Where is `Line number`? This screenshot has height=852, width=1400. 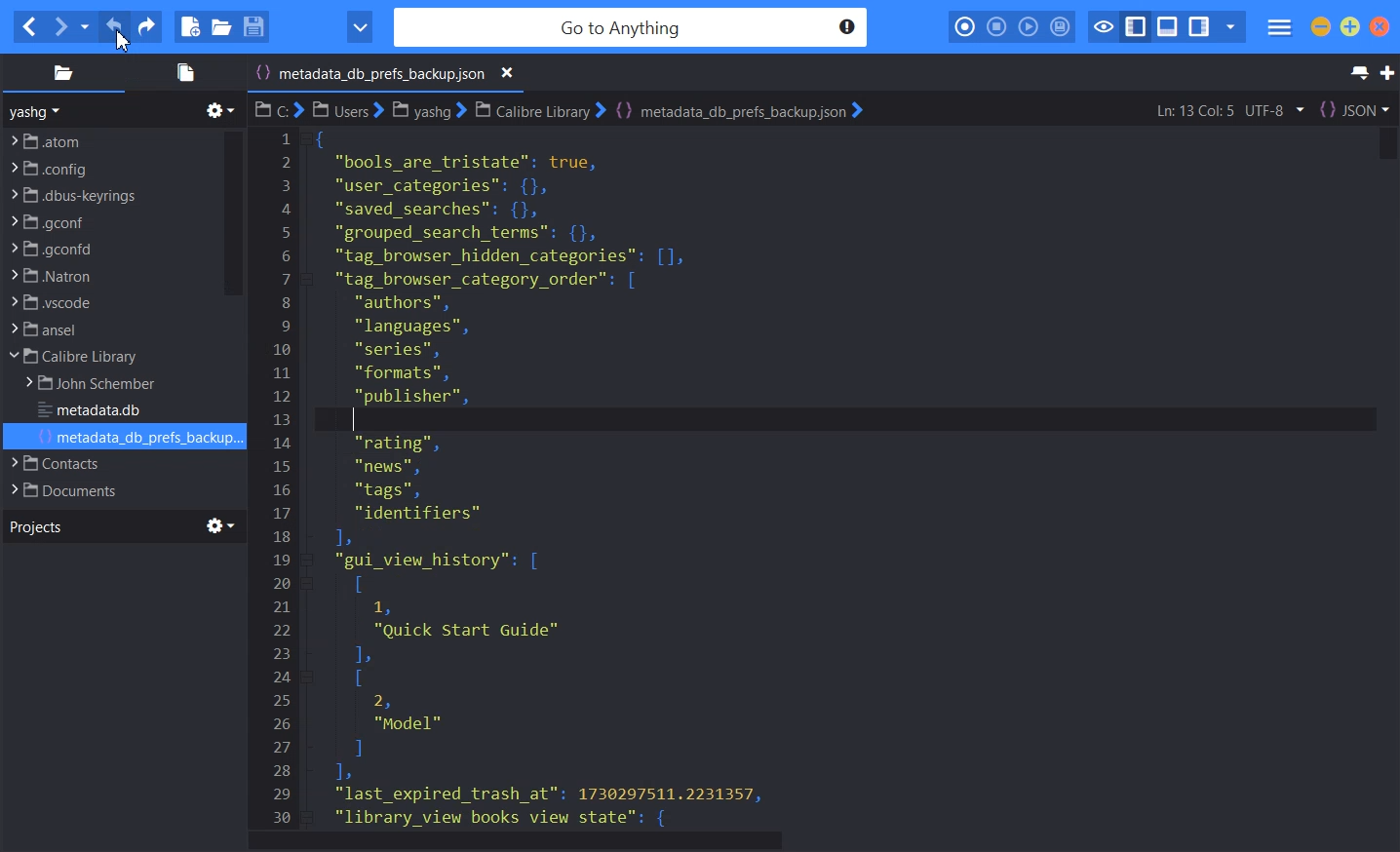
Line number is located at coordinates (283, 477).